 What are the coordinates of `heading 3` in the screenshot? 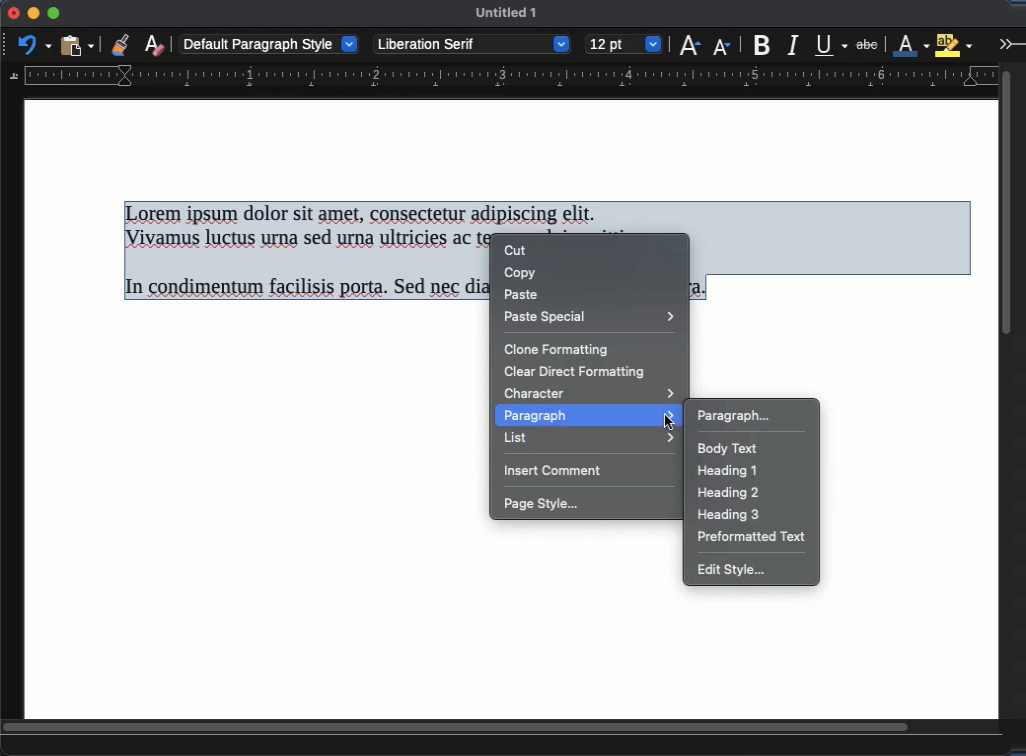 It's located at (730, 514).